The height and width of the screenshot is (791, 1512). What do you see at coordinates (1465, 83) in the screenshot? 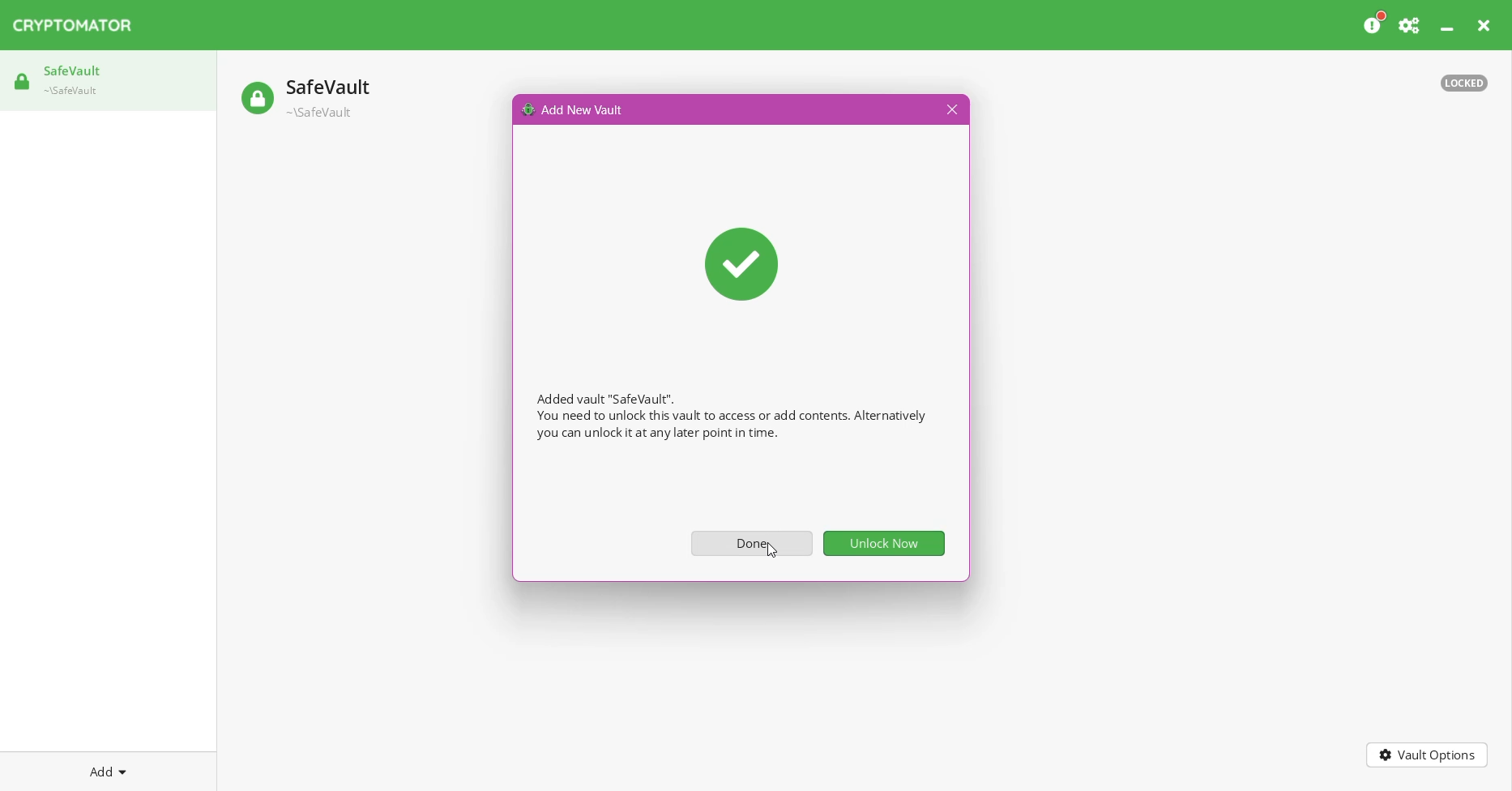
I see `Vault status` at bounding box center [1465, 83].